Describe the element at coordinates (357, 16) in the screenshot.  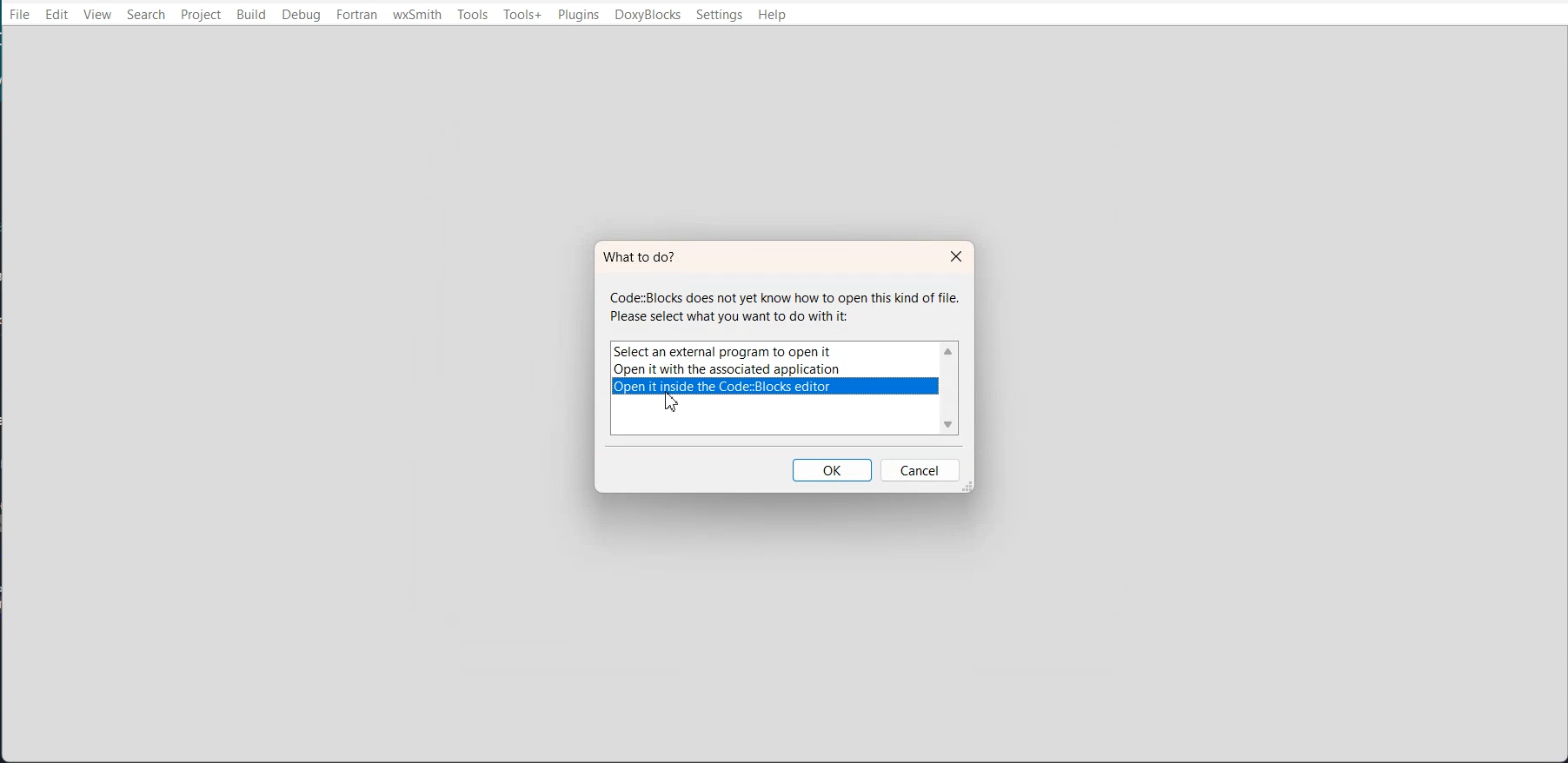
I see `Fortran` at that location.